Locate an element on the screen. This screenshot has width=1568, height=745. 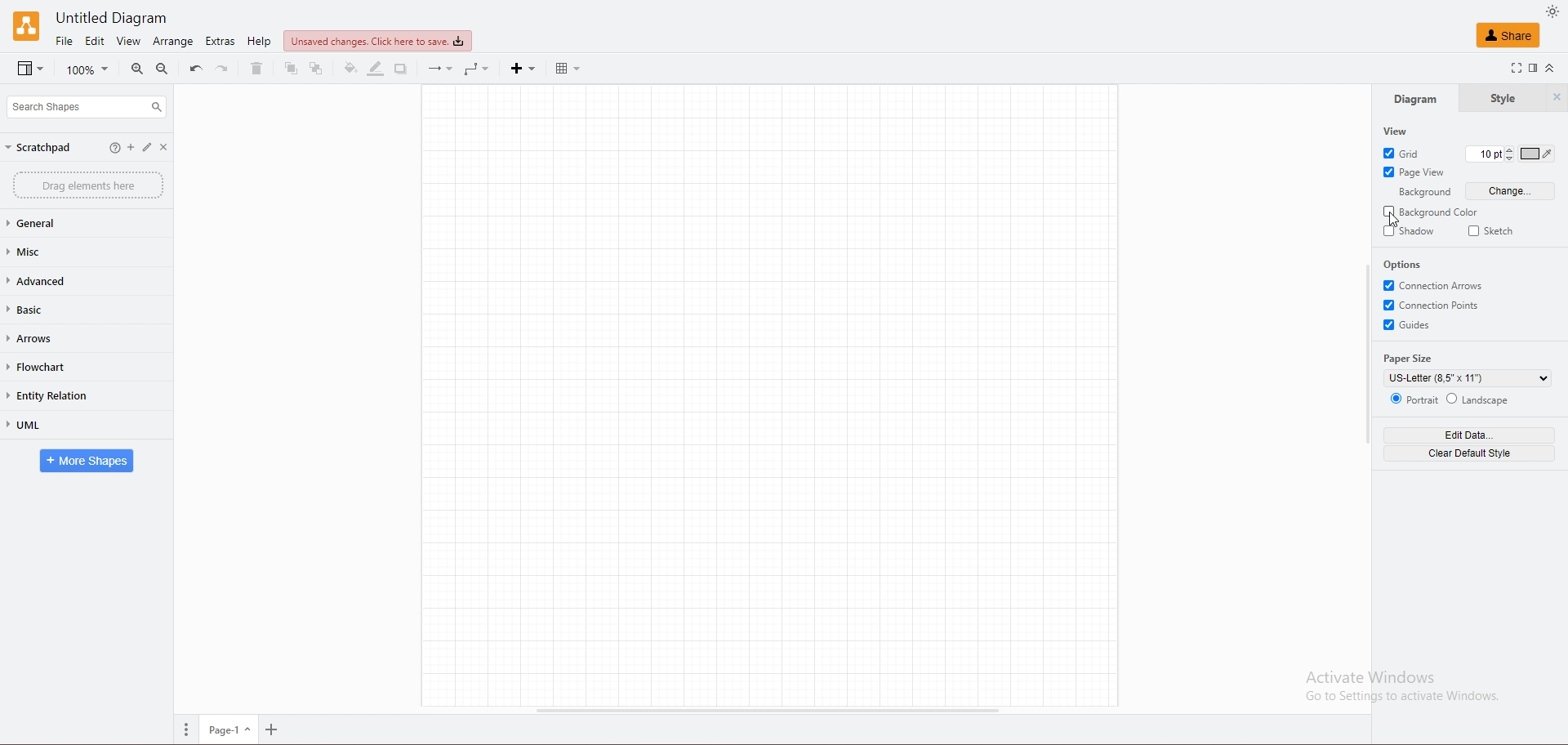
decrease pt is located at coordinates (1511, 160).